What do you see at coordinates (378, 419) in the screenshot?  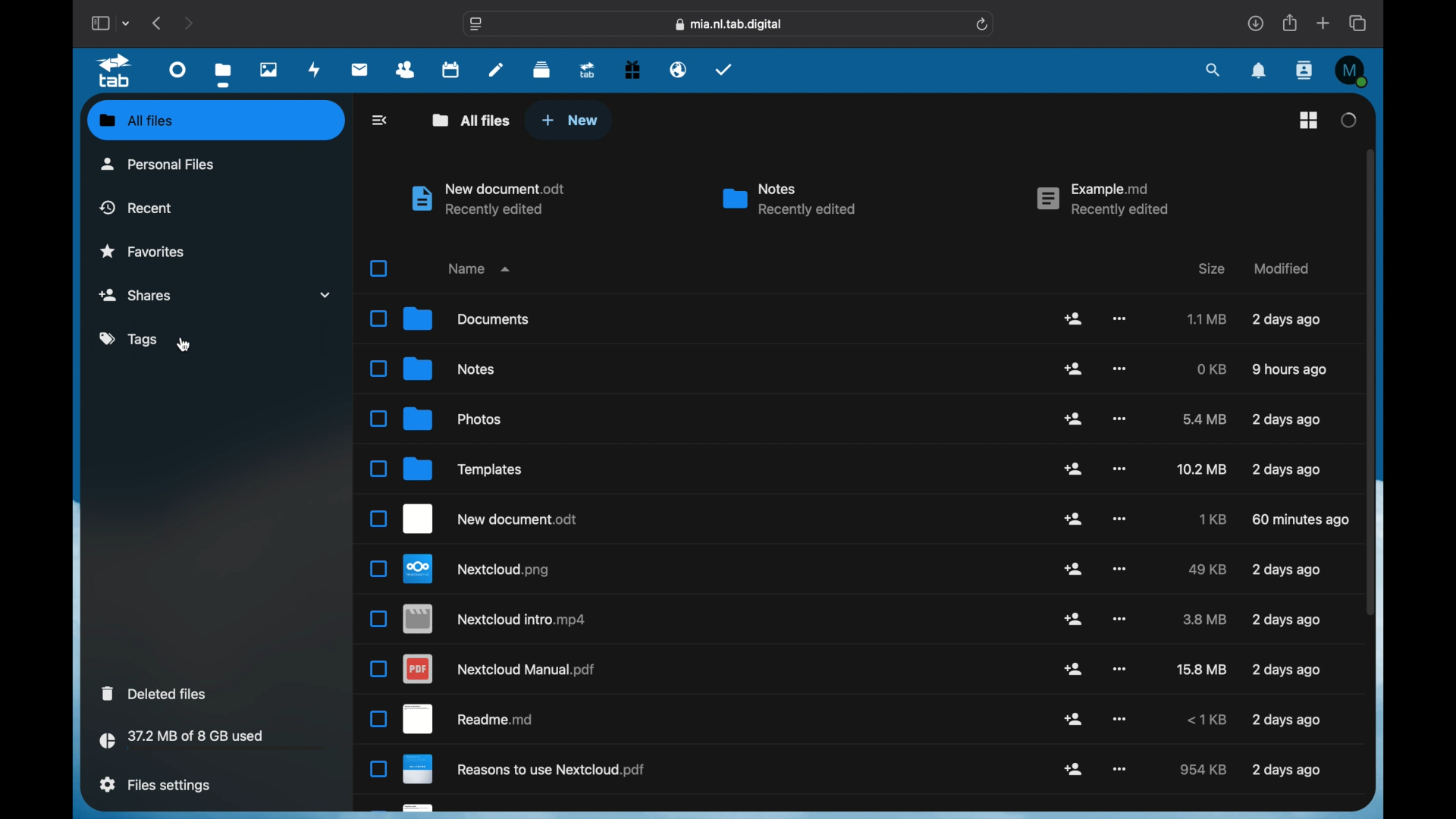 I see `Unselected checkbox` at bounding box center [378, 419].